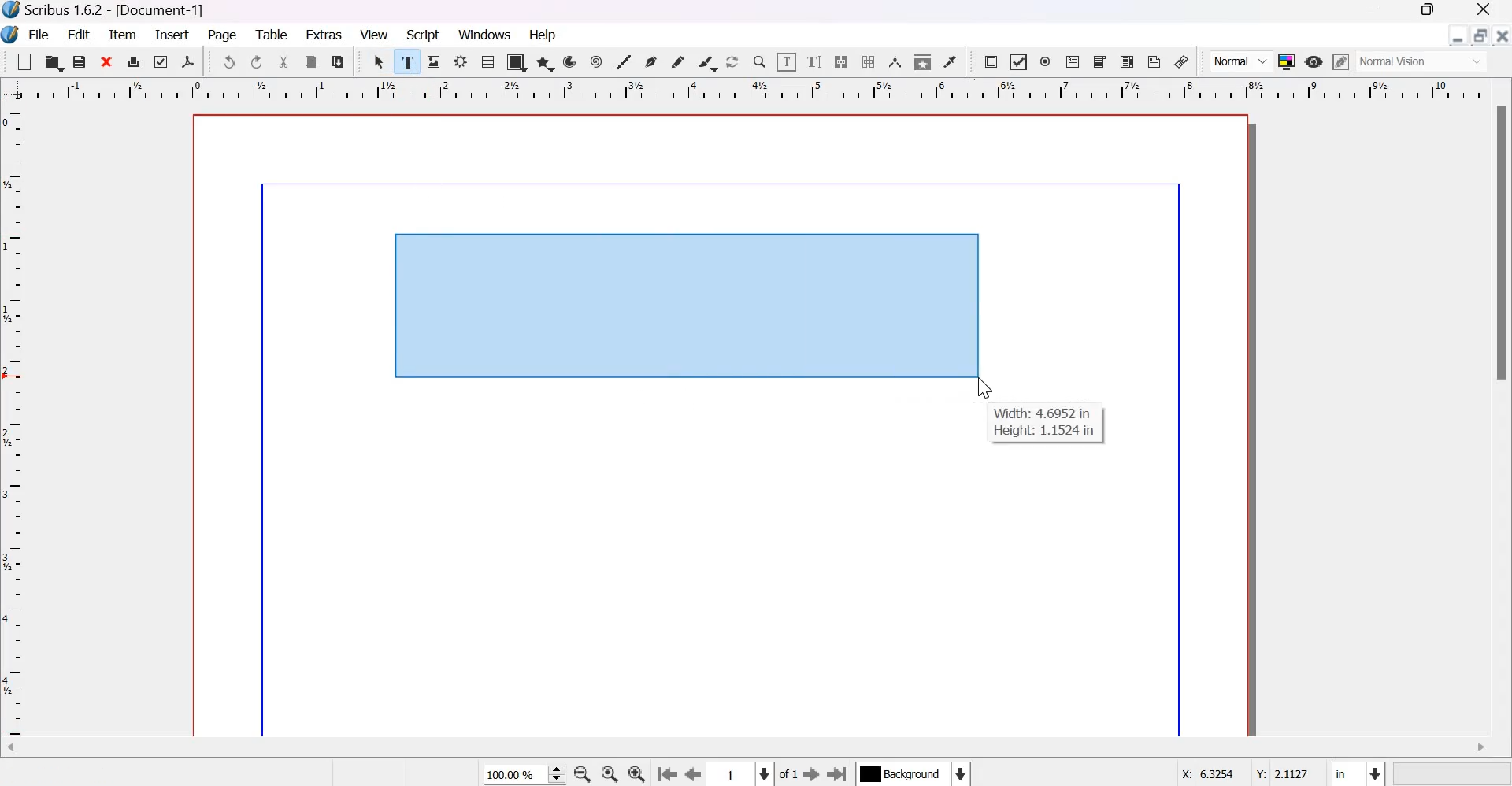  I want to click on Link annotation, so click(1182, 61).